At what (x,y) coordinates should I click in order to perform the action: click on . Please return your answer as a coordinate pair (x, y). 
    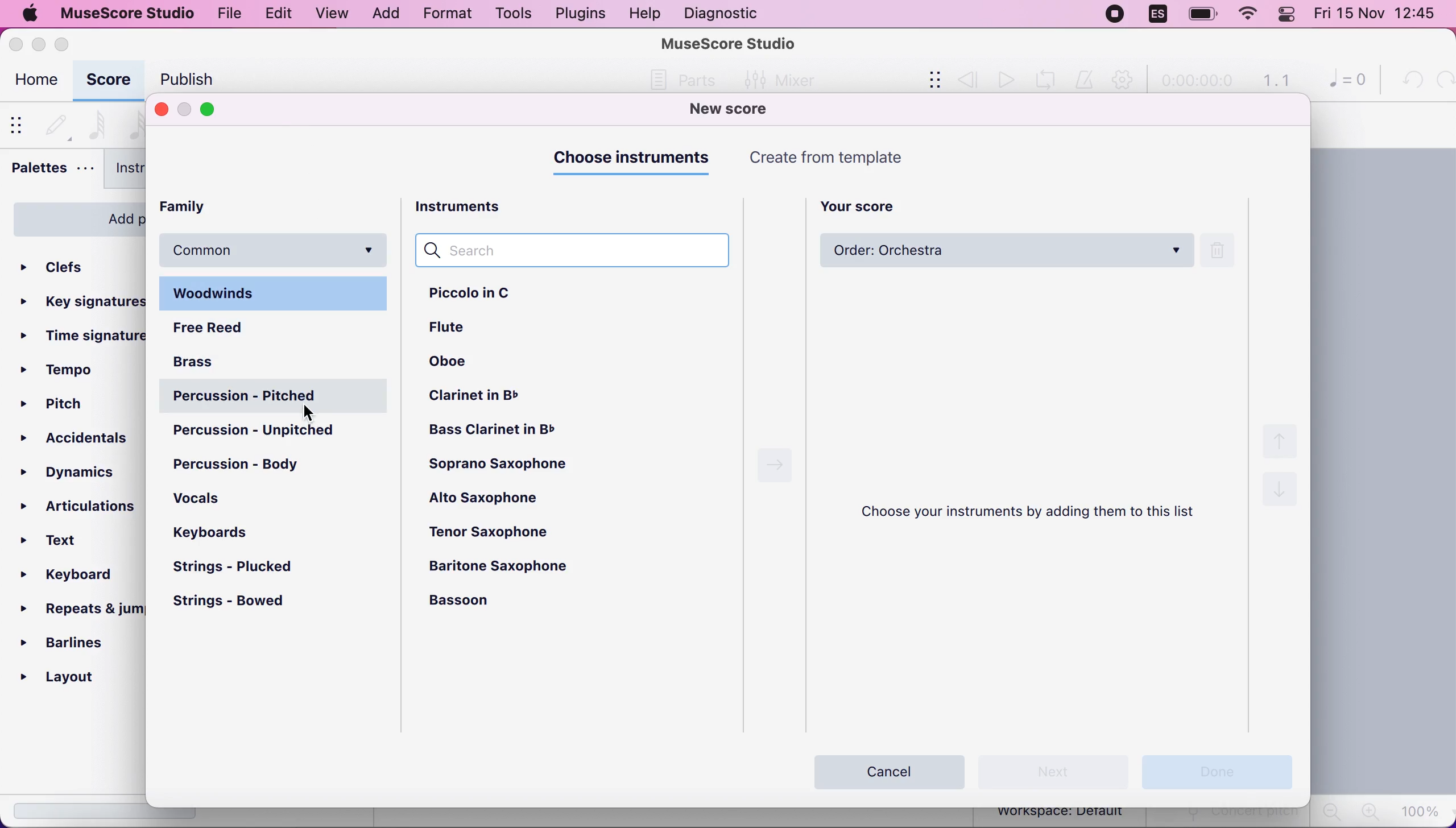
    Looking at the image, I should click on (689, 80).